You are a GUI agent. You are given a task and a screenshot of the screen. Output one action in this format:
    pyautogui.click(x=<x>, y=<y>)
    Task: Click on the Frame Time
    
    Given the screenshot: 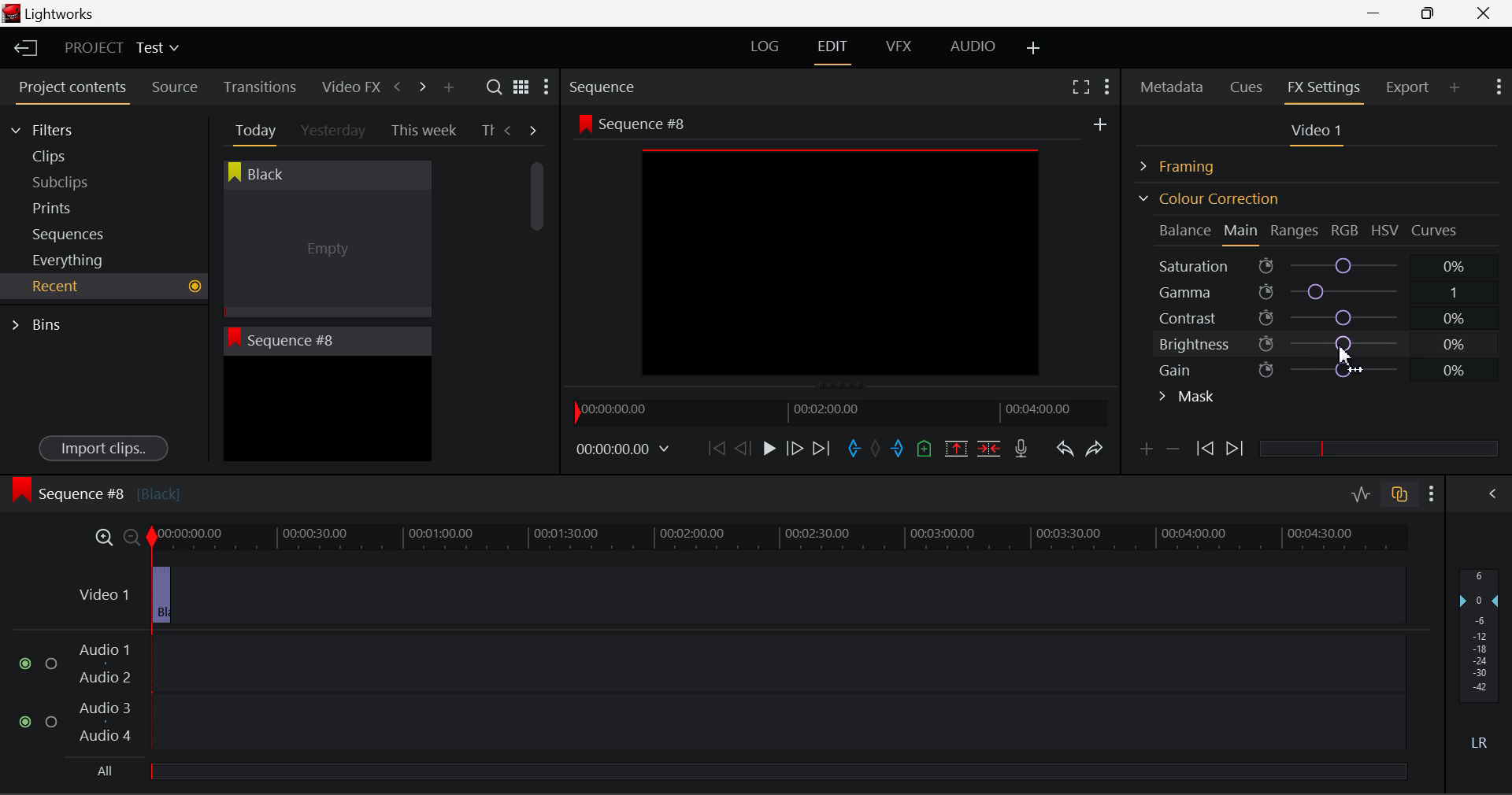 What is the action you would take?
    pyautogui.click(x=624, y=450)
    